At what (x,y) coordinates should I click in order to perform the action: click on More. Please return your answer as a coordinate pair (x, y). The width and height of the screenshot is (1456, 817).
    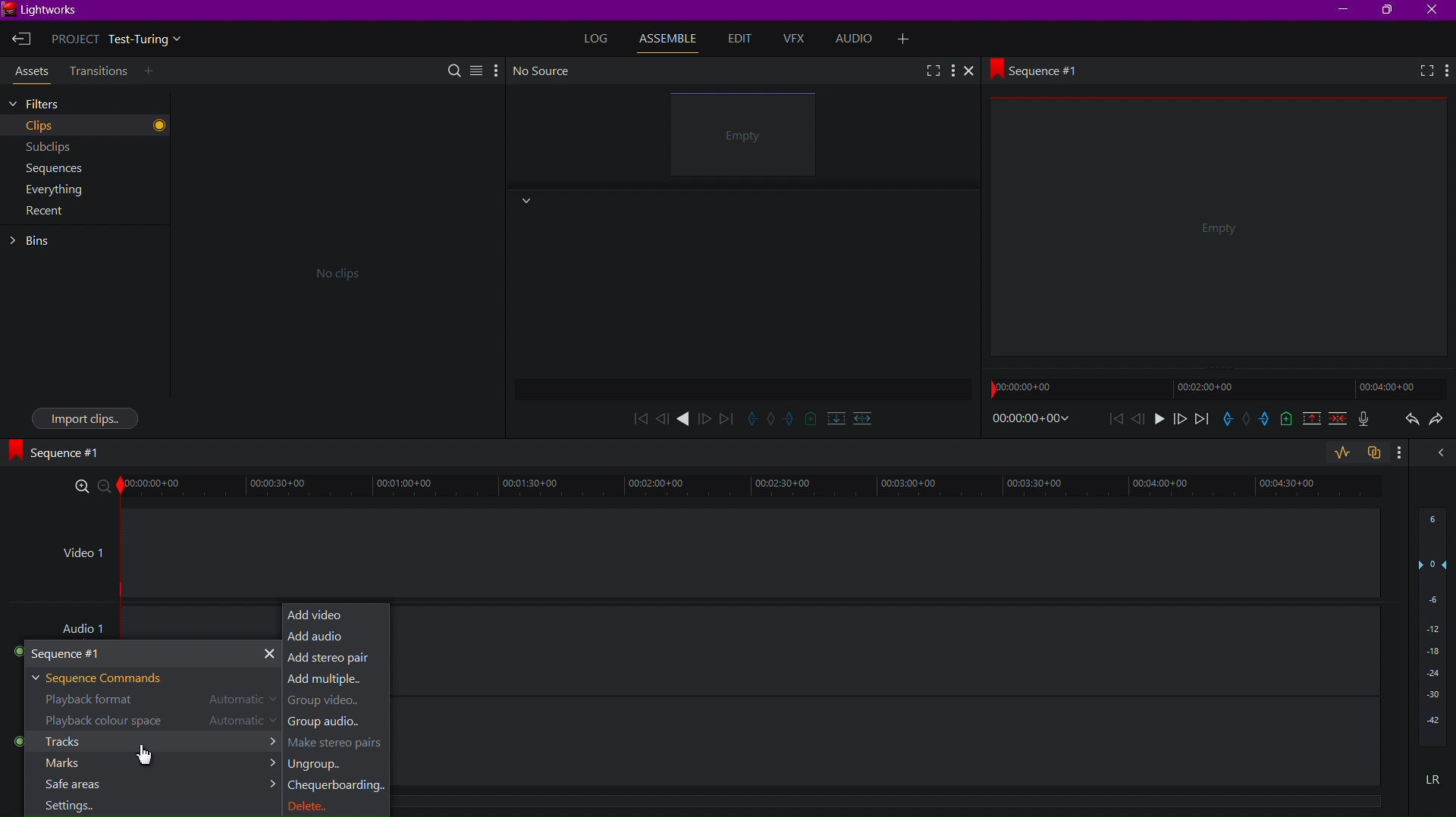
    Looking at the image, I should click on (1446, 71).